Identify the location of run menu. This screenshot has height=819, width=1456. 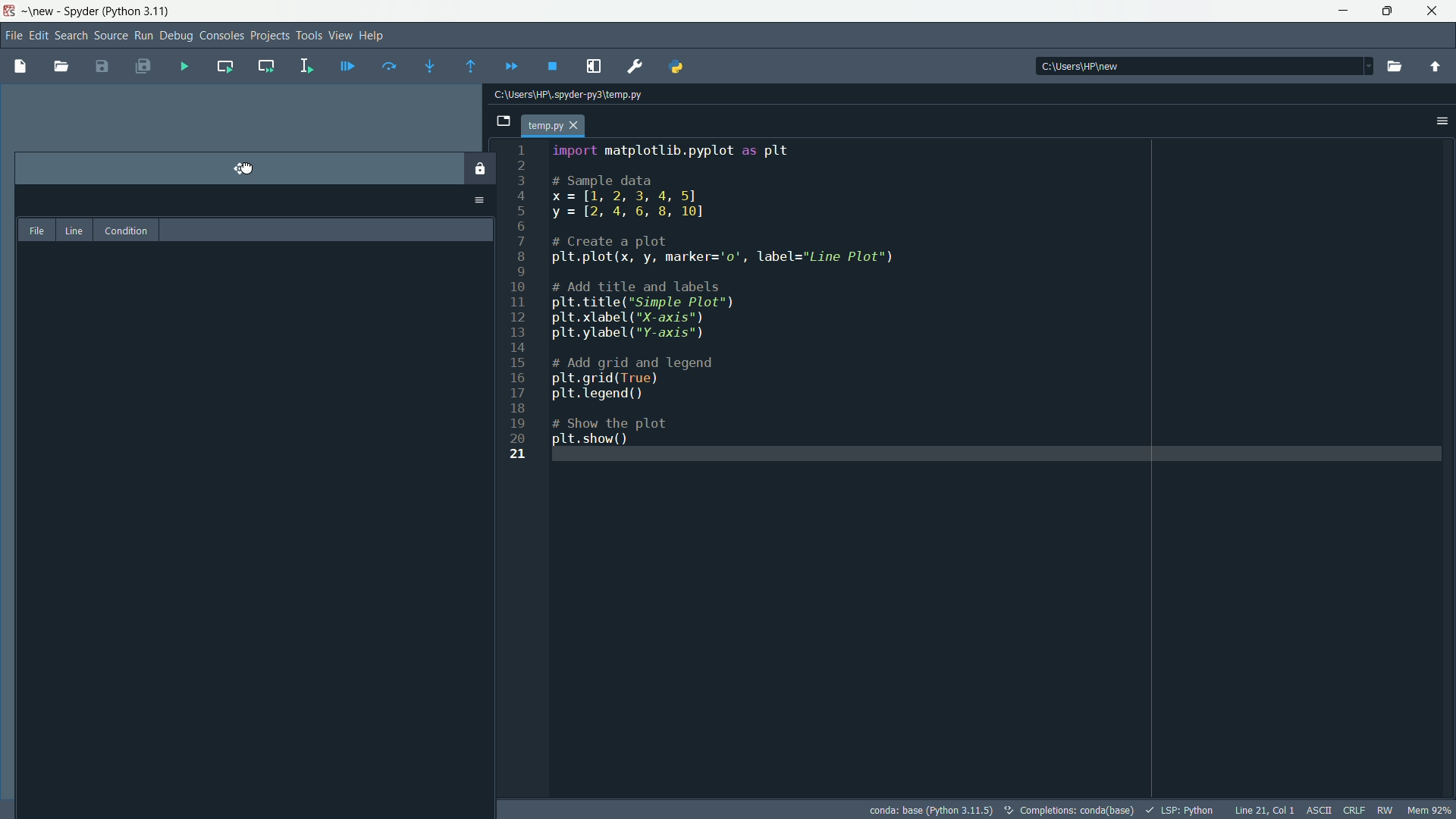
(142, 36).